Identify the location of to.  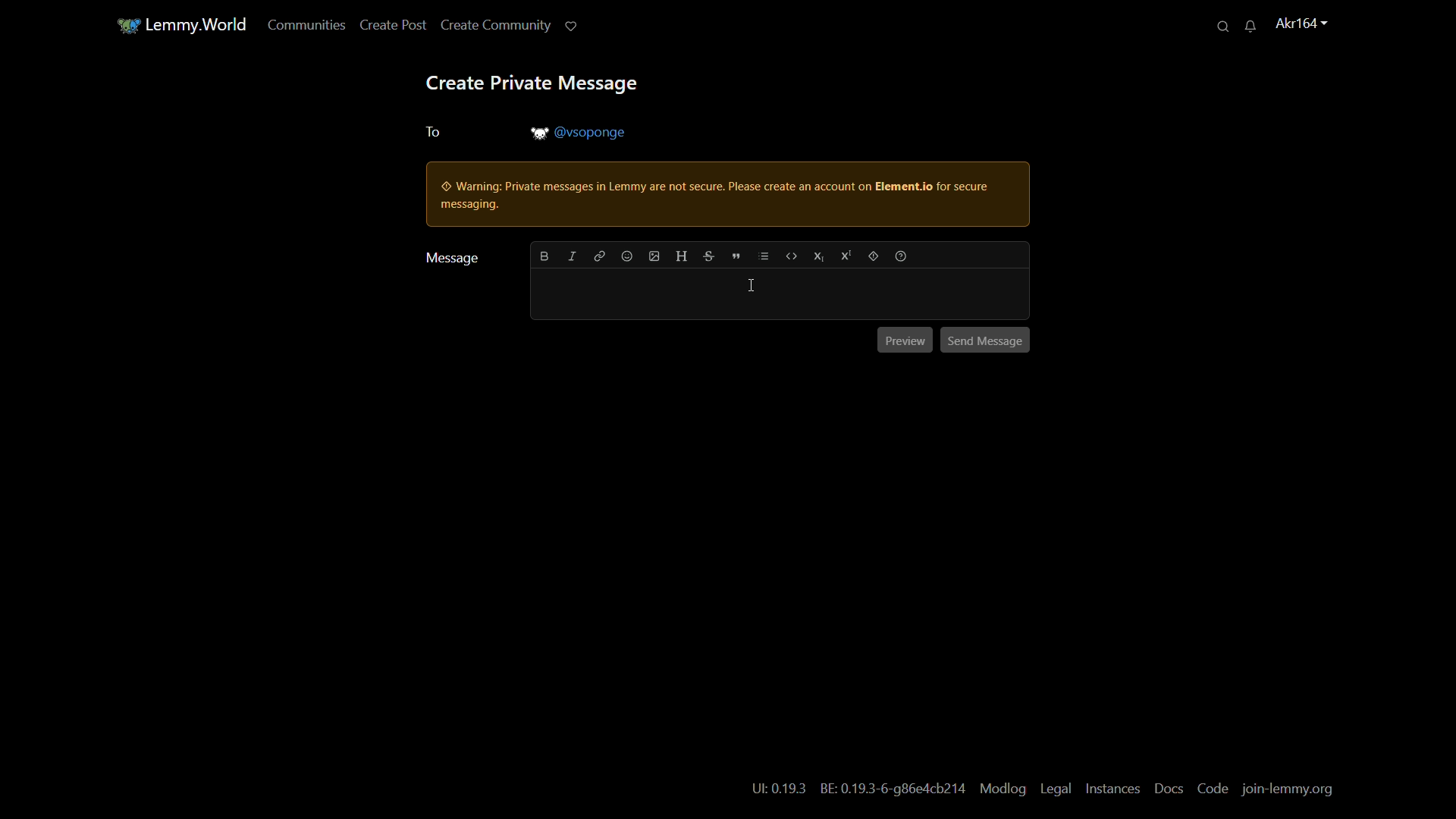
(431, 133).